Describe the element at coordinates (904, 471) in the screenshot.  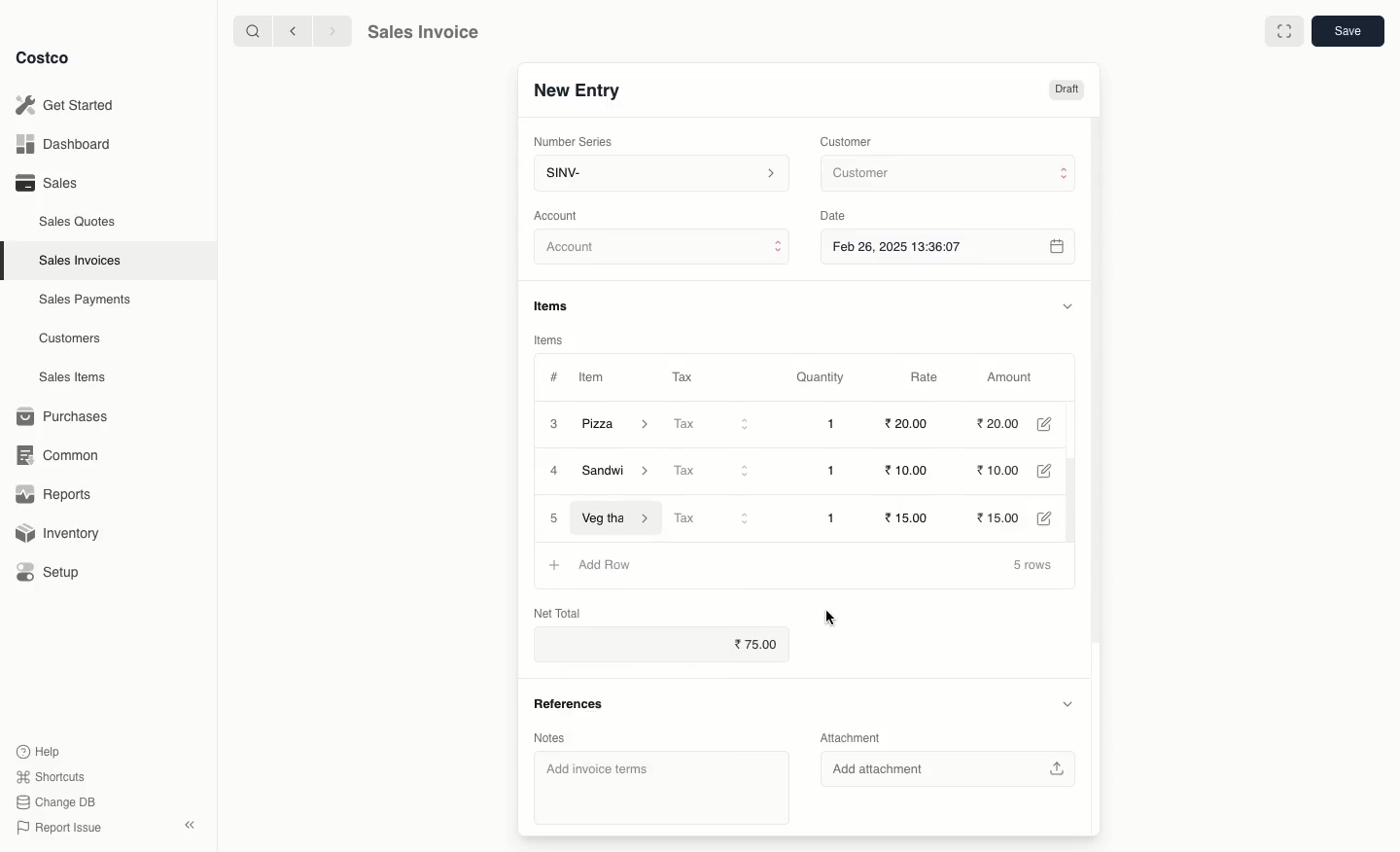
I see `10.00` at that location.